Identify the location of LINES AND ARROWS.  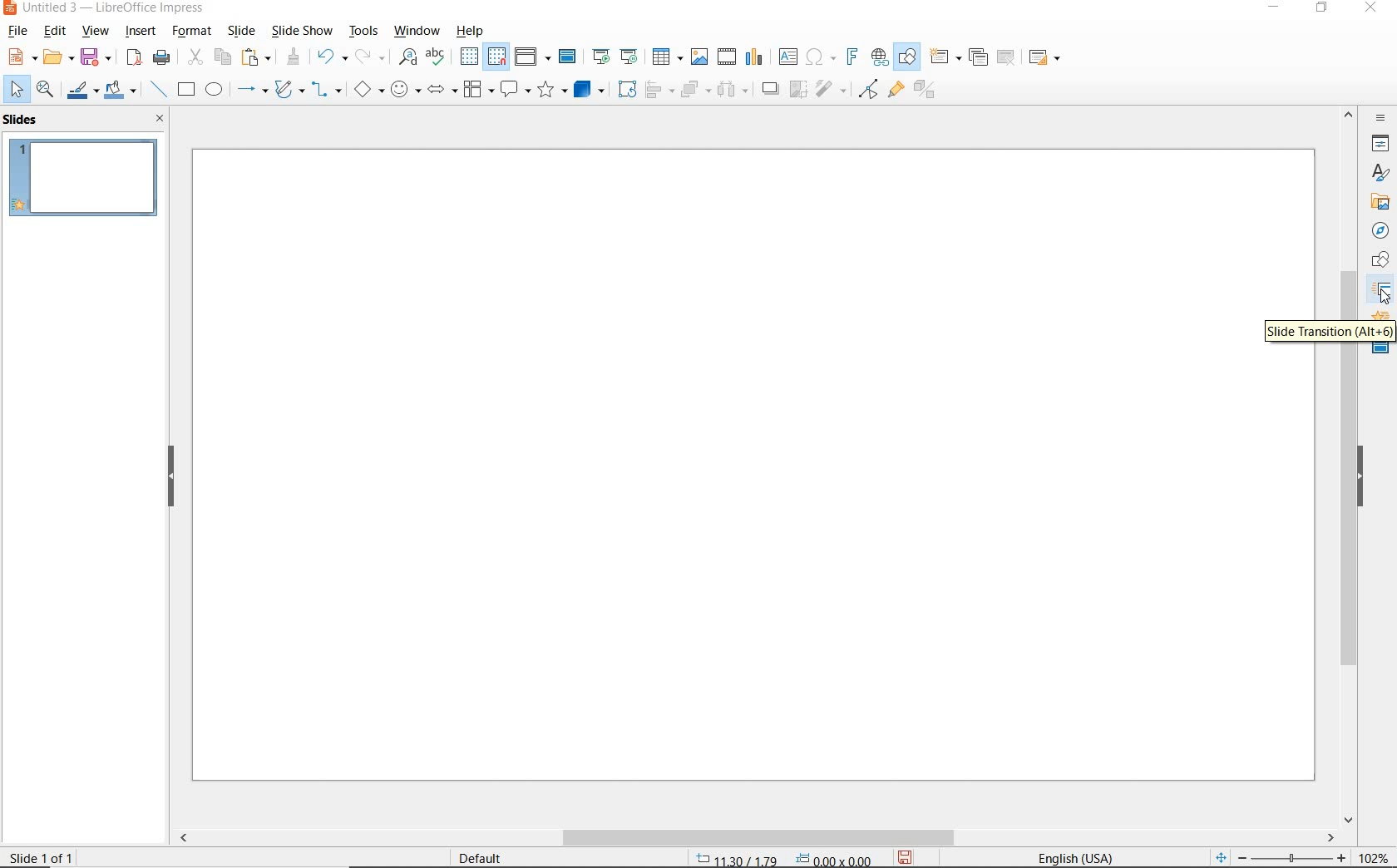
(250, 90).